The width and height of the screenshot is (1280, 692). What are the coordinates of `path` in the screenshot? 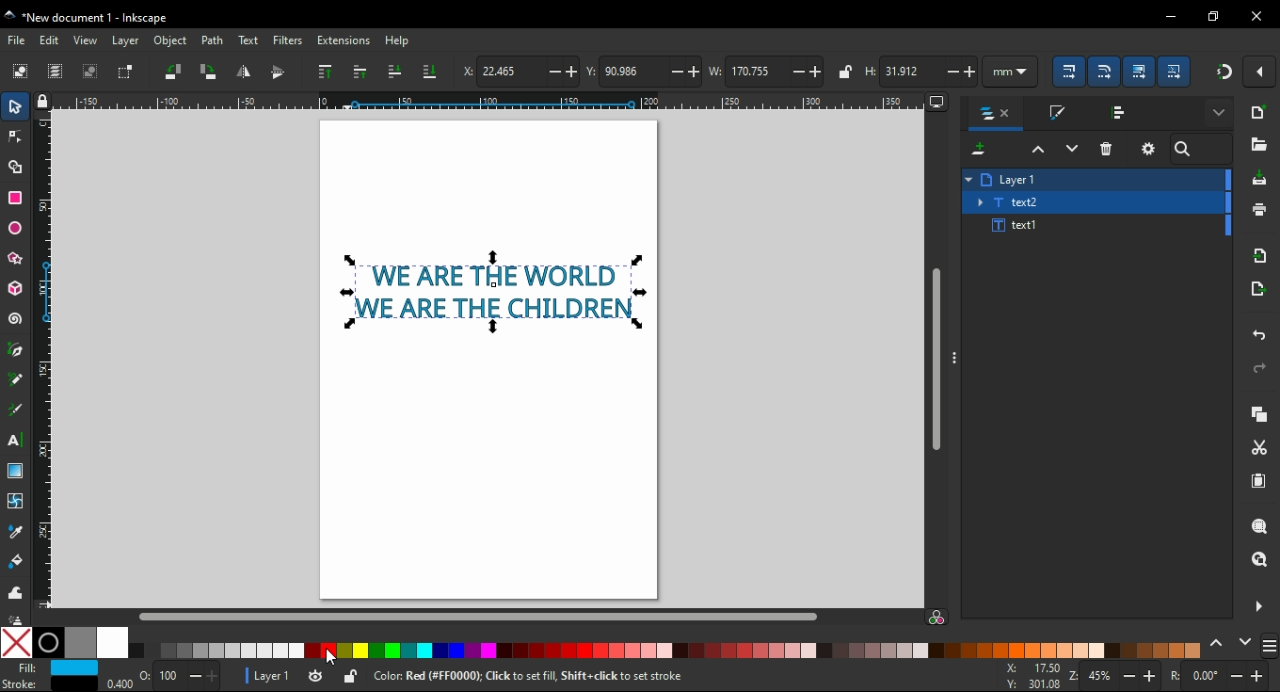 It's located at (212, 41).